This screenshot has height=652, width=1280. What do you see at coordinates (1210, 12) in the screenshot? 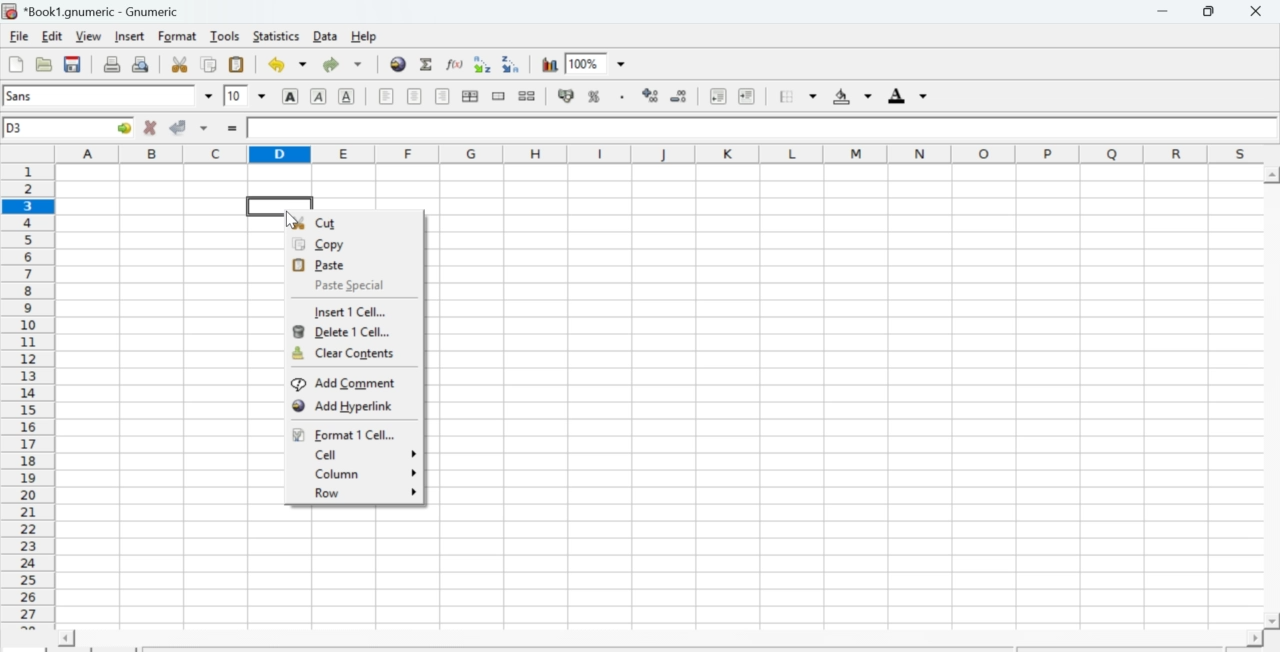
I see `Minimize/Maximize` at bounding box center [1210, 12].